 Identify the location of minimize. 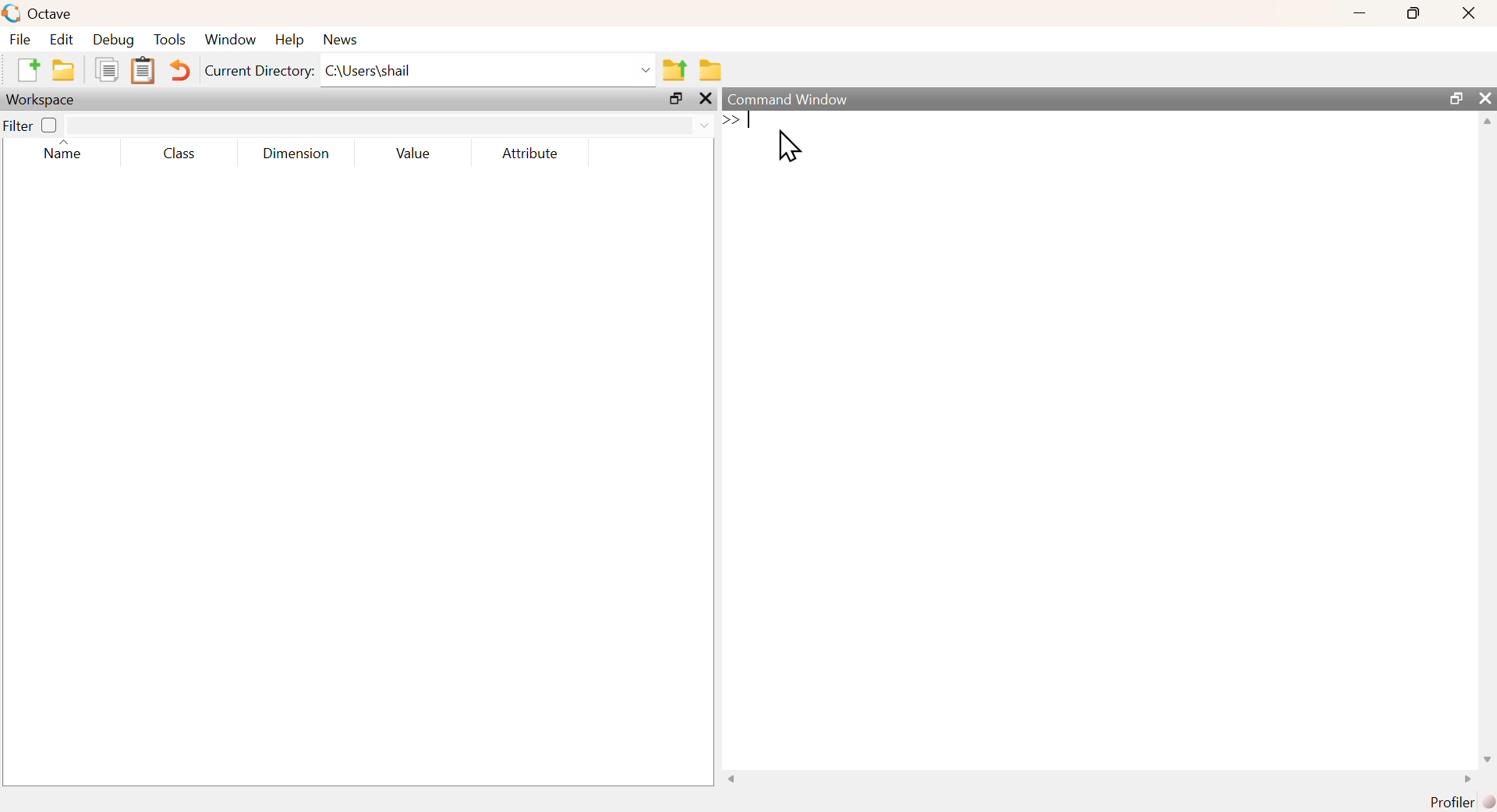
(1360, 13).